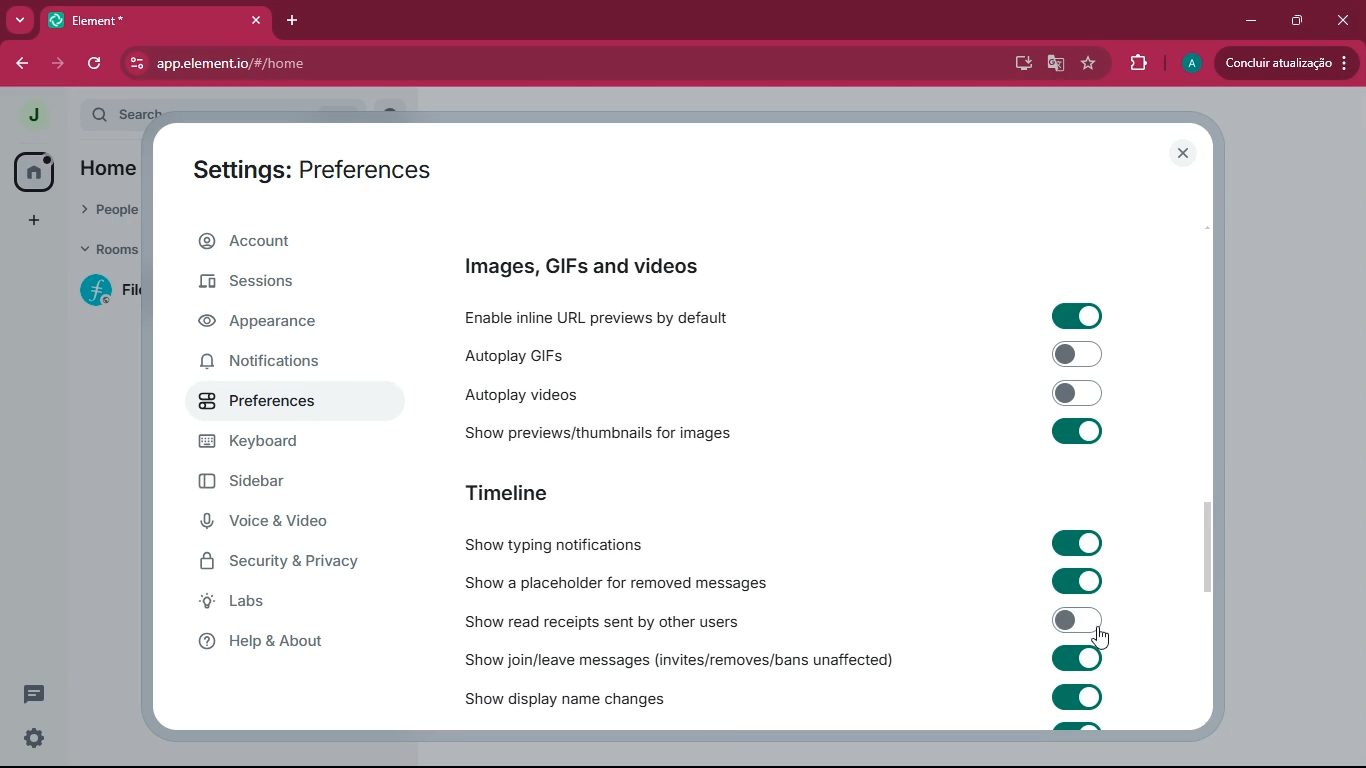  I want to click on profile, so click(1190, 64).